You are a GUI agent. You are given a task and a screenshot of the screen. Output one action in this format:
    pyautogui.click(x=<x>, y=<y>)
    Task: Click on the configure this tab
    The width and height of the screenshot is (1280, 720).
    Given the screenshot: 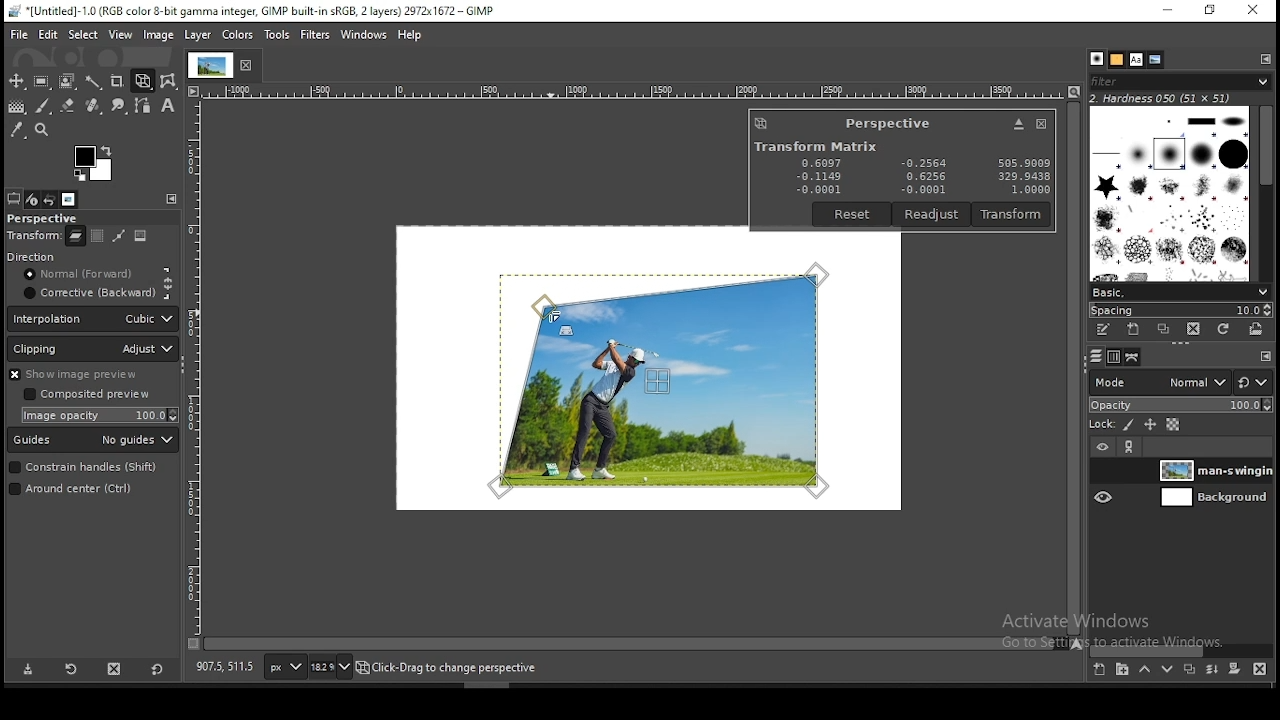 What is the action you would take?
    pyautogui.click(x=1263, y=355)
    